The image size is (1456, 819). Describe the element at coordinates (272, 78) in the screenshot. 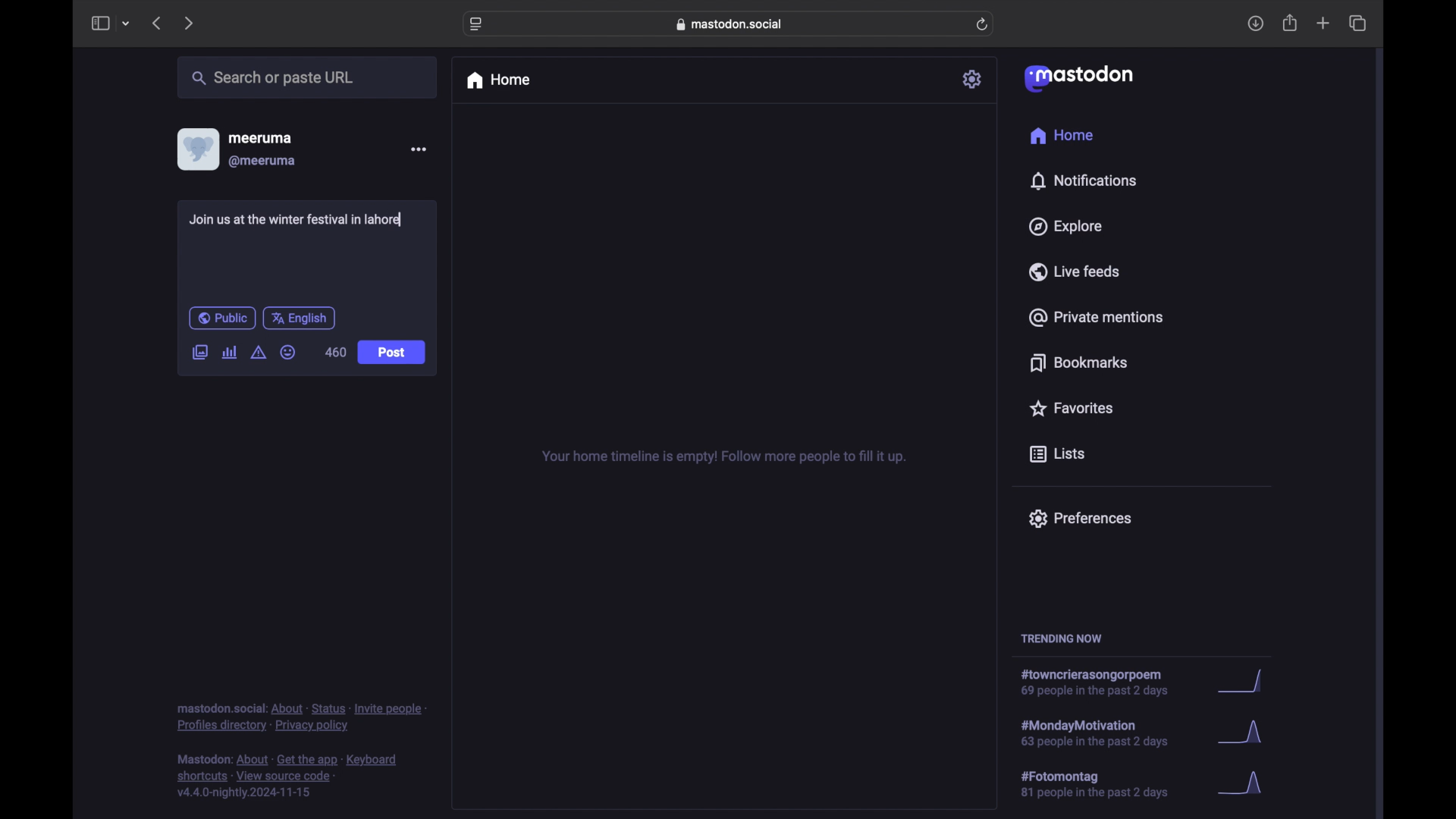

I see `search or paste url` at that location.